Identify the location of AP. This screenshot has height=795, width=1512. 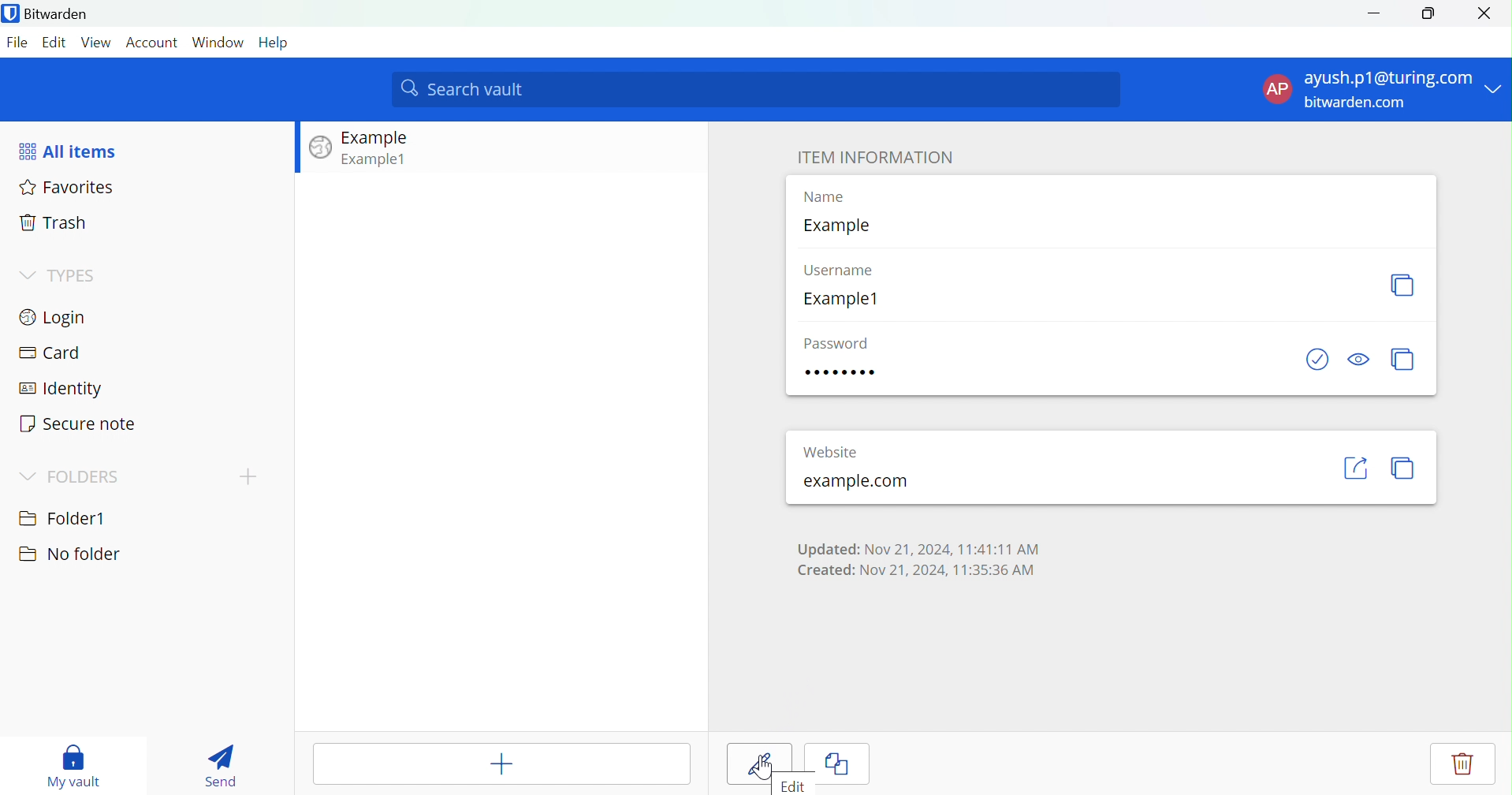
(1277, 90).